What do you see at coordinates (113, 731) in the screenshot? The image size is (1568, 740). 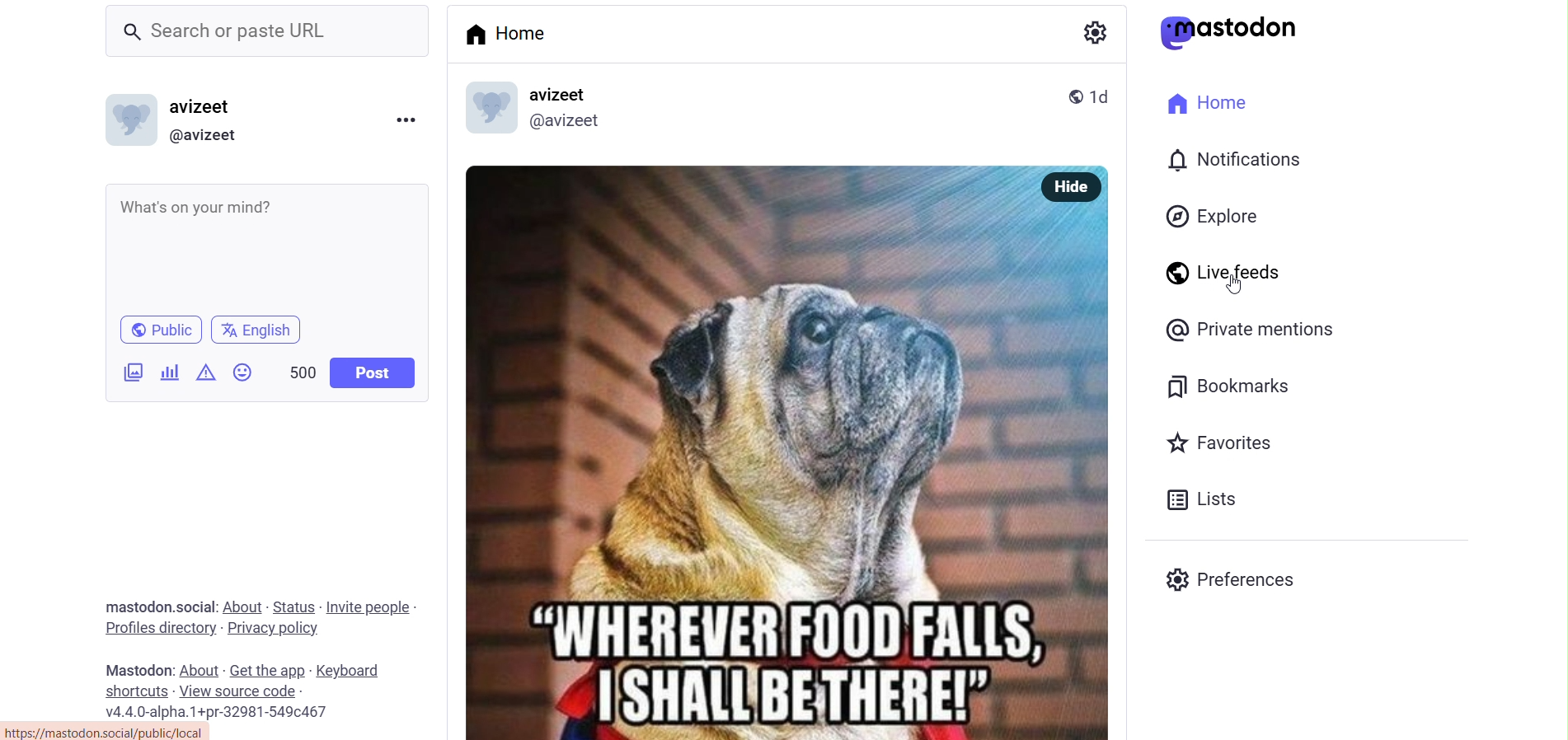 I see `link` at bounding box center [113, 731].